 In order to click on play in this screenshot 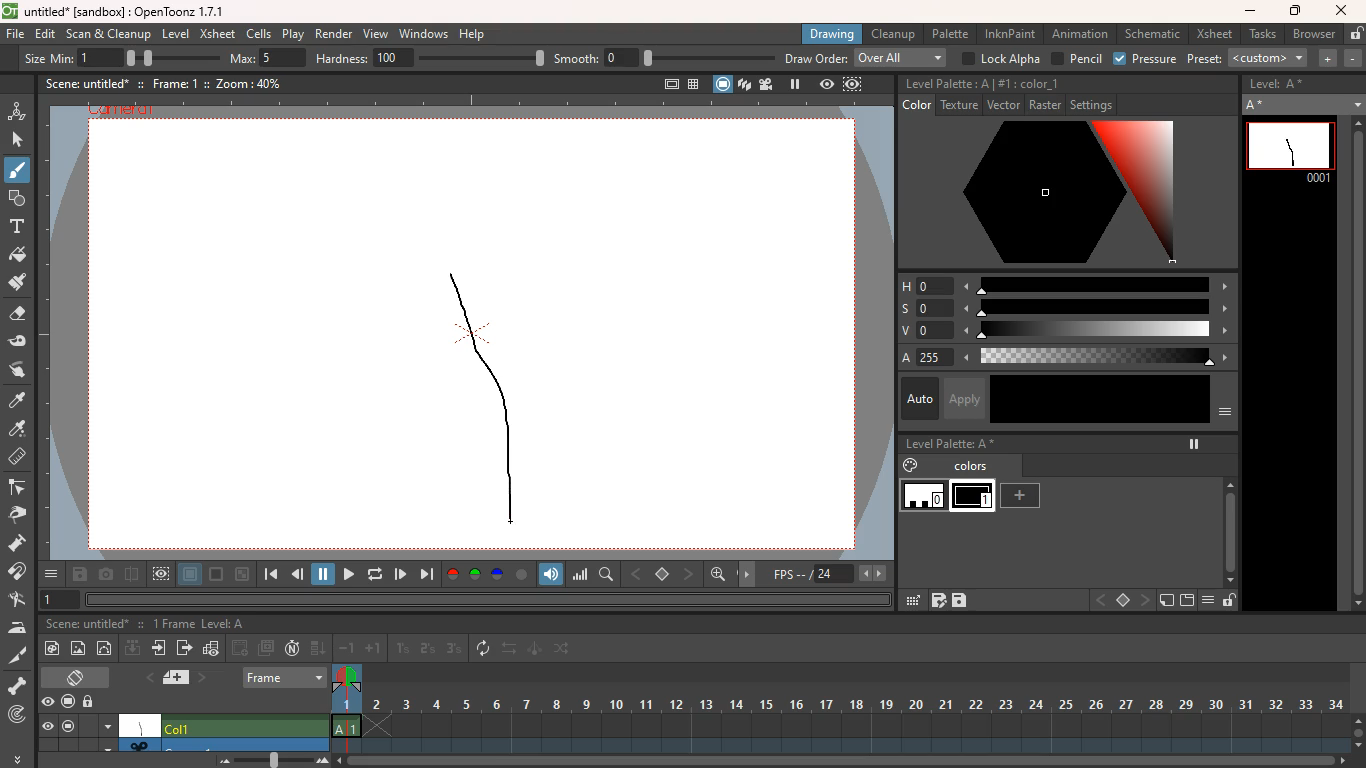, I will do `click(292, 34)`.